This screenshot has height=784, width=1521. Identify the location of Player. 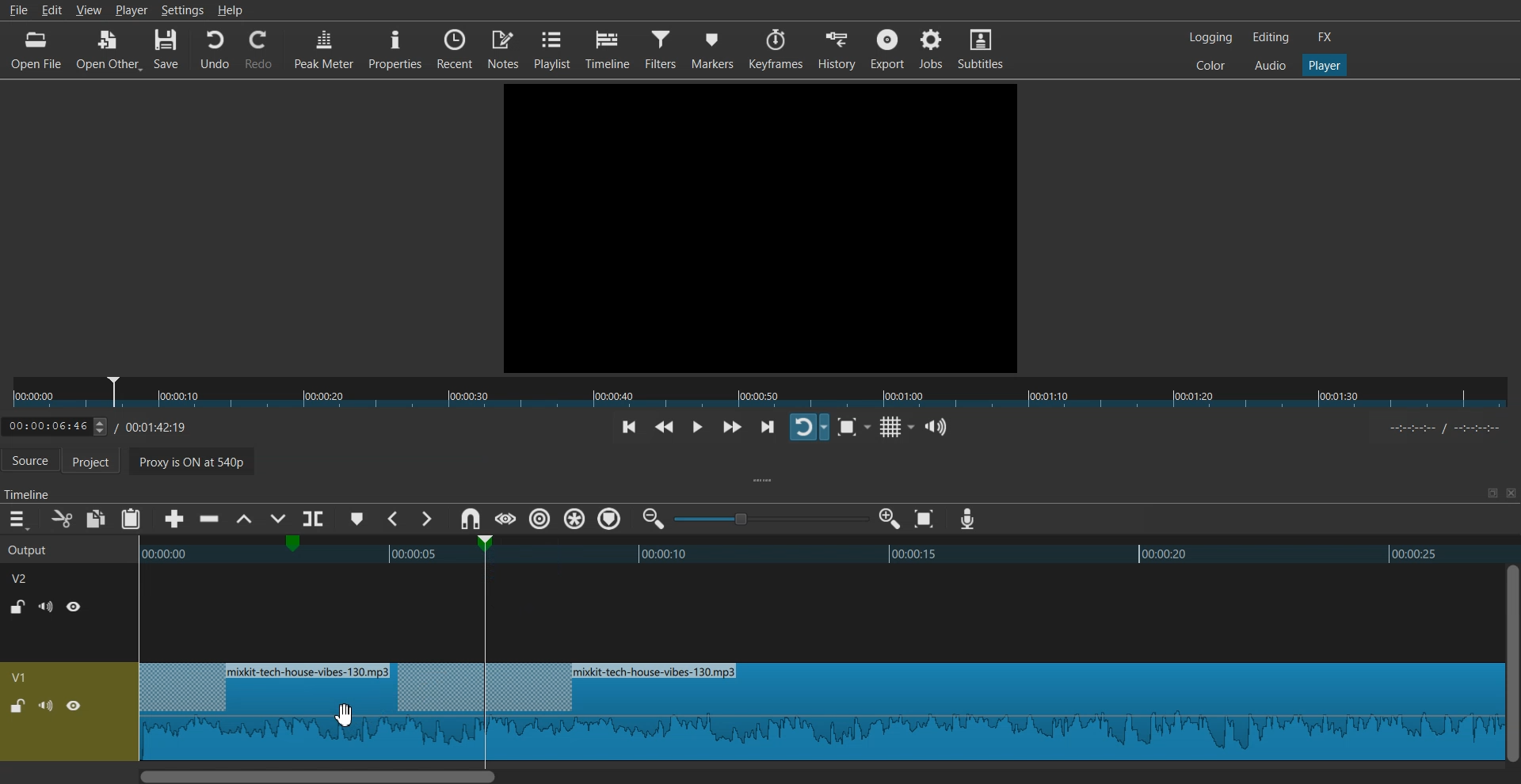
(1325, 66).